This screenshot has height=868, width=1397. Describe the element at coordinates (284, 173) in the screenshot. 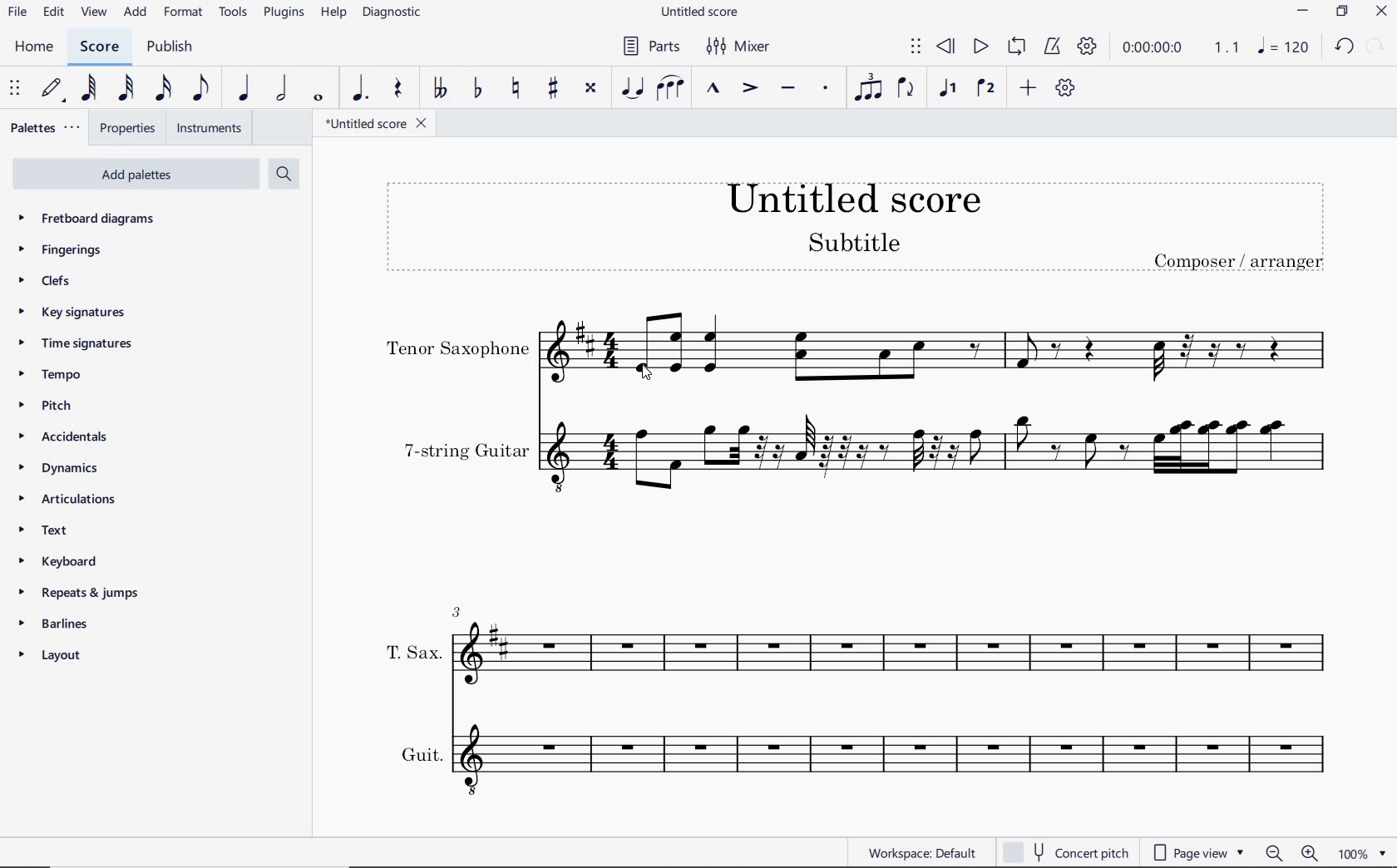

I see `SEARCH PALETTES` at that location.